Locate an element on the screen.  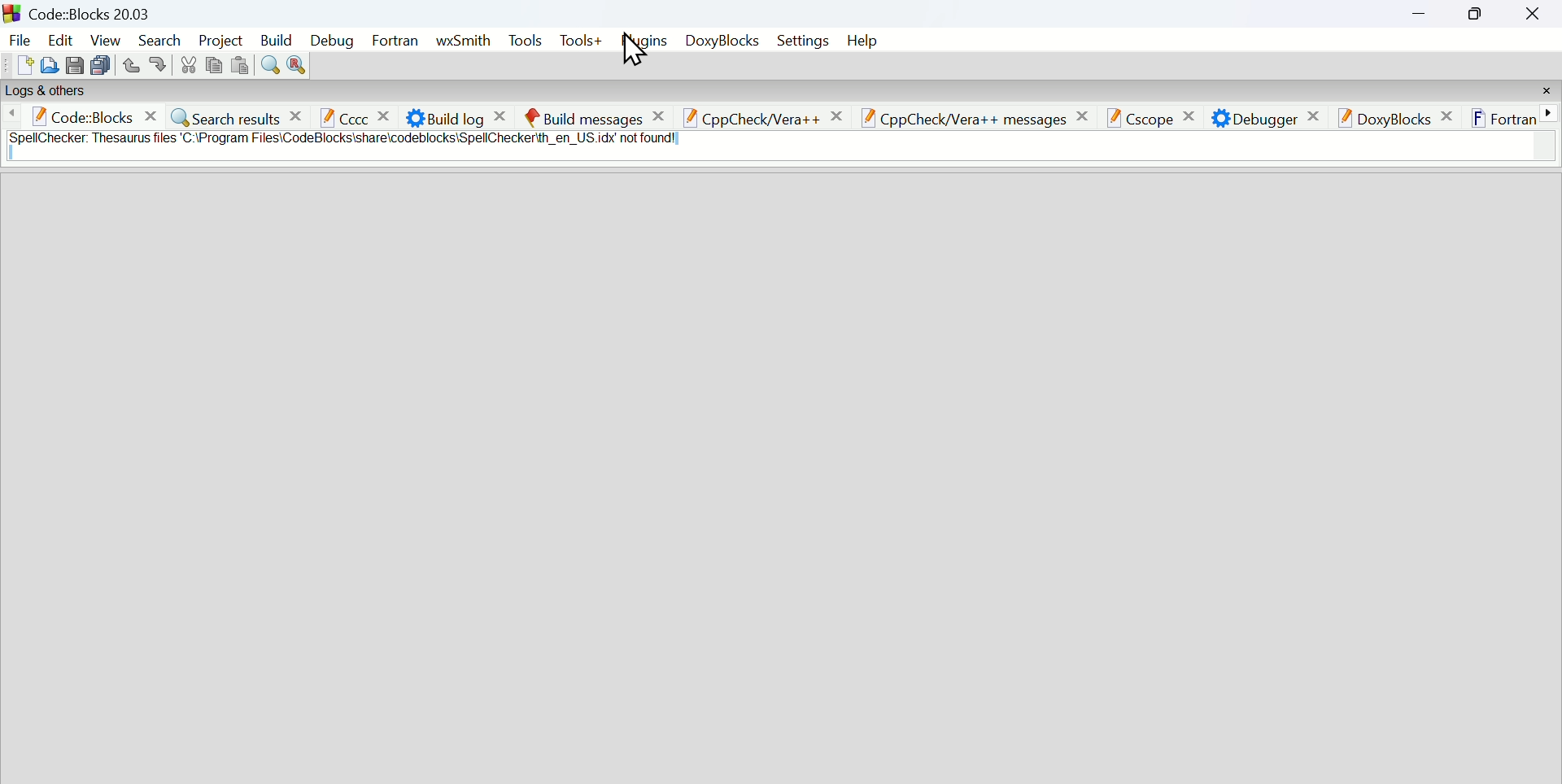
Maximize is located at coordinates (1475, 15).